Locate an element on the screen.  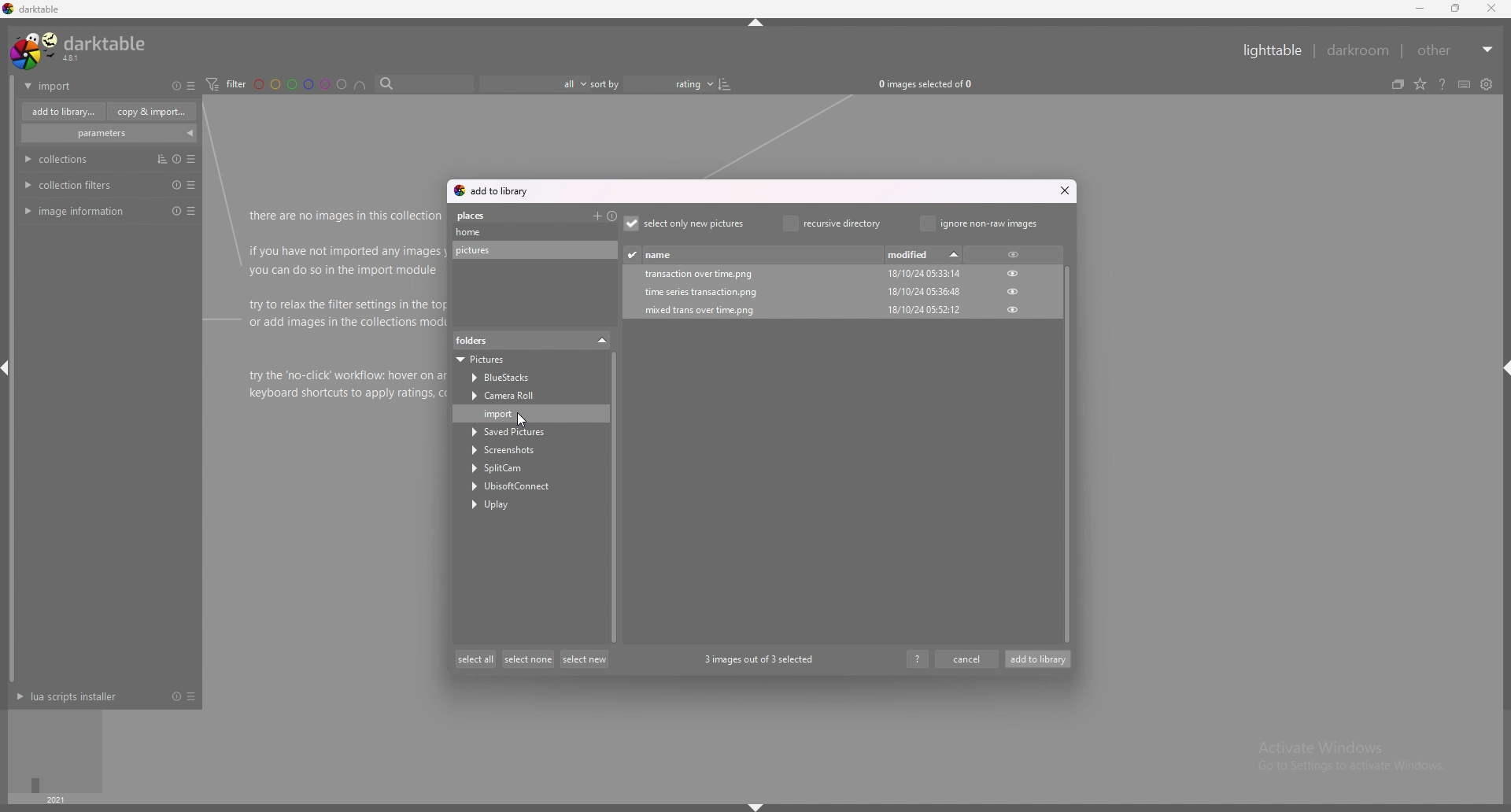
Saved Pictures is located at coordinates (526, 432).